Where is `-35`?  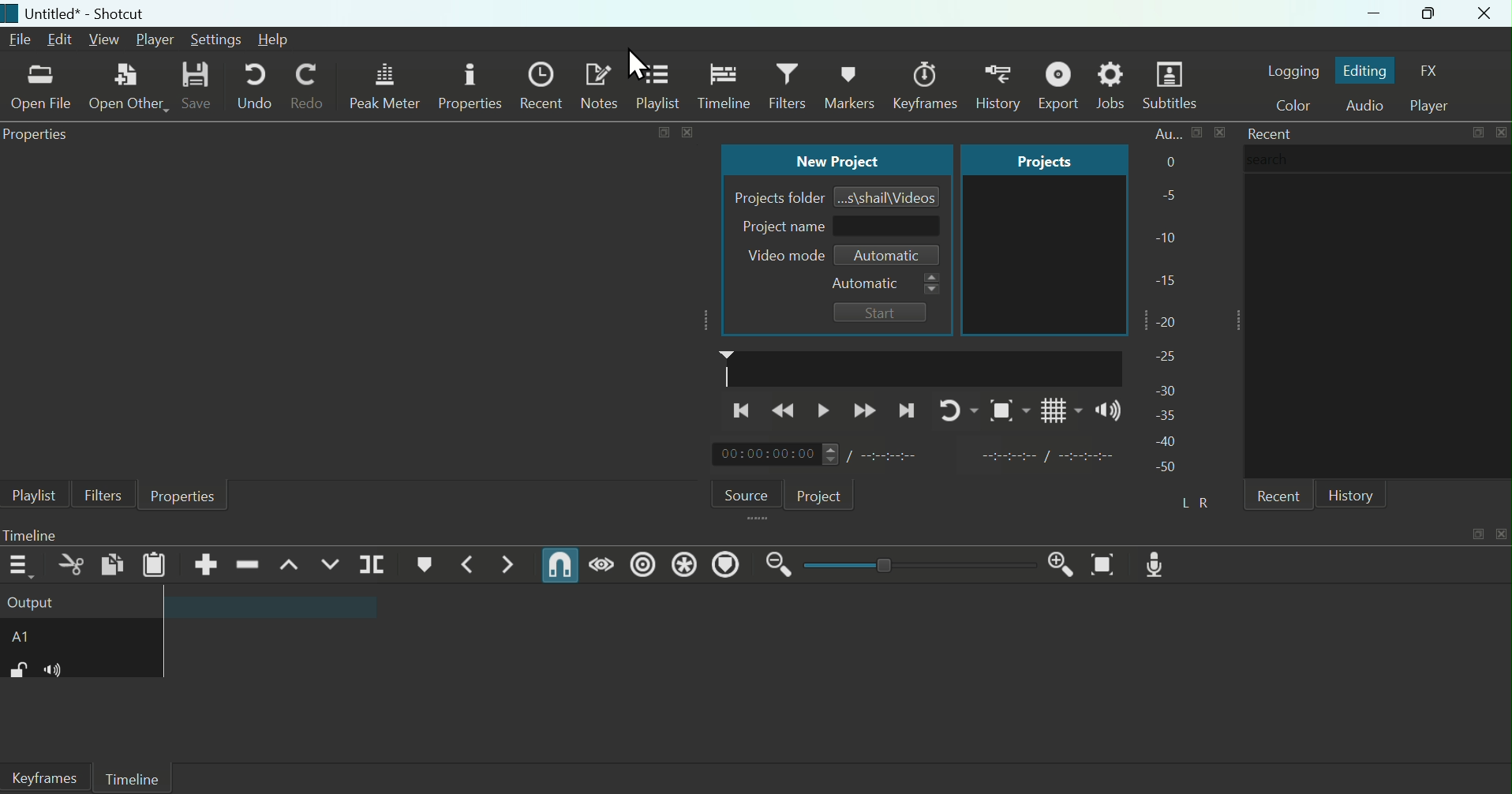 -35 is located at coordinates (1163, 414).